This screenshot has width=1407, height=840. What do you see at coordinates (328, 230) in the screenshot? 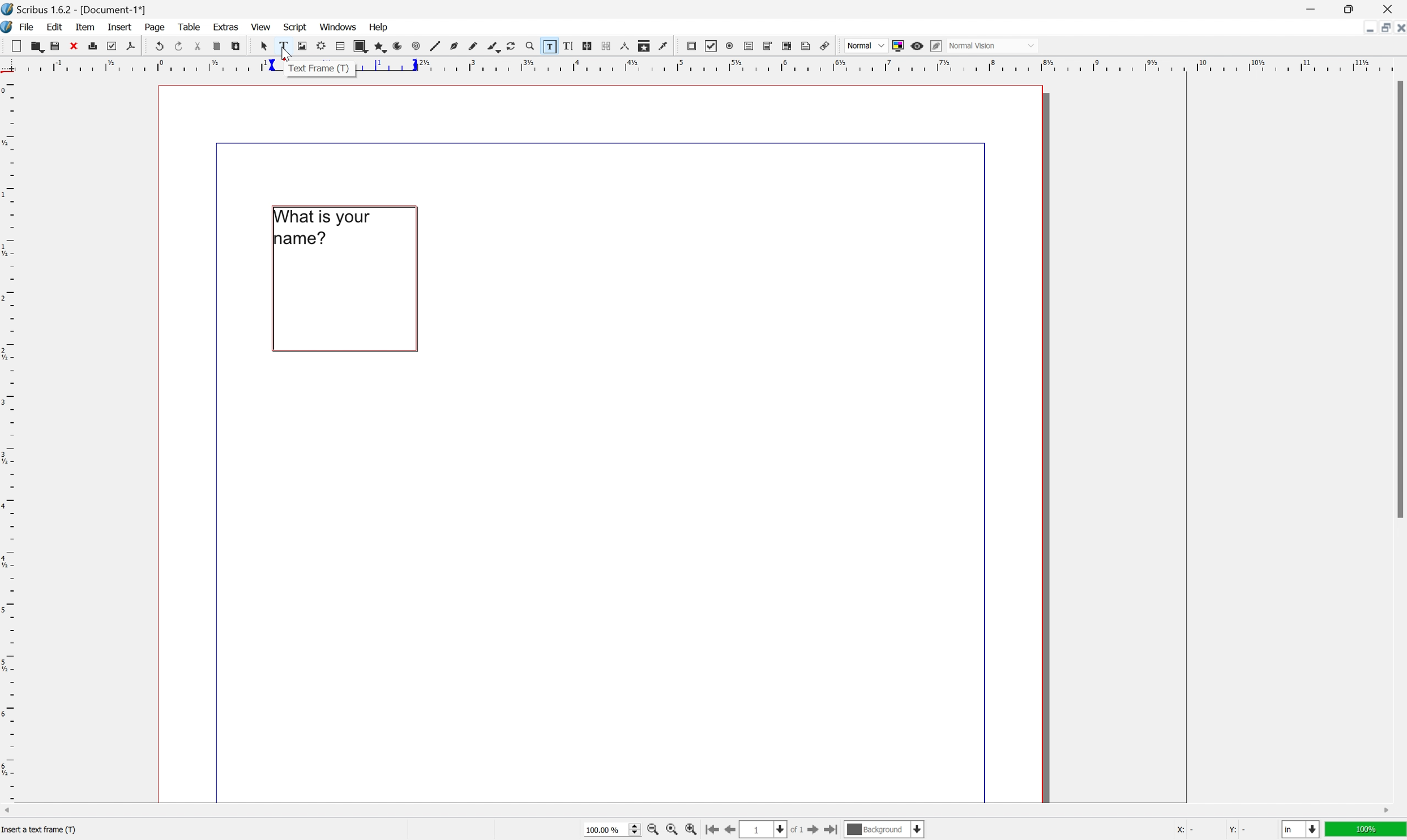
I see `What is your name?` at bounding box center [328, 230].